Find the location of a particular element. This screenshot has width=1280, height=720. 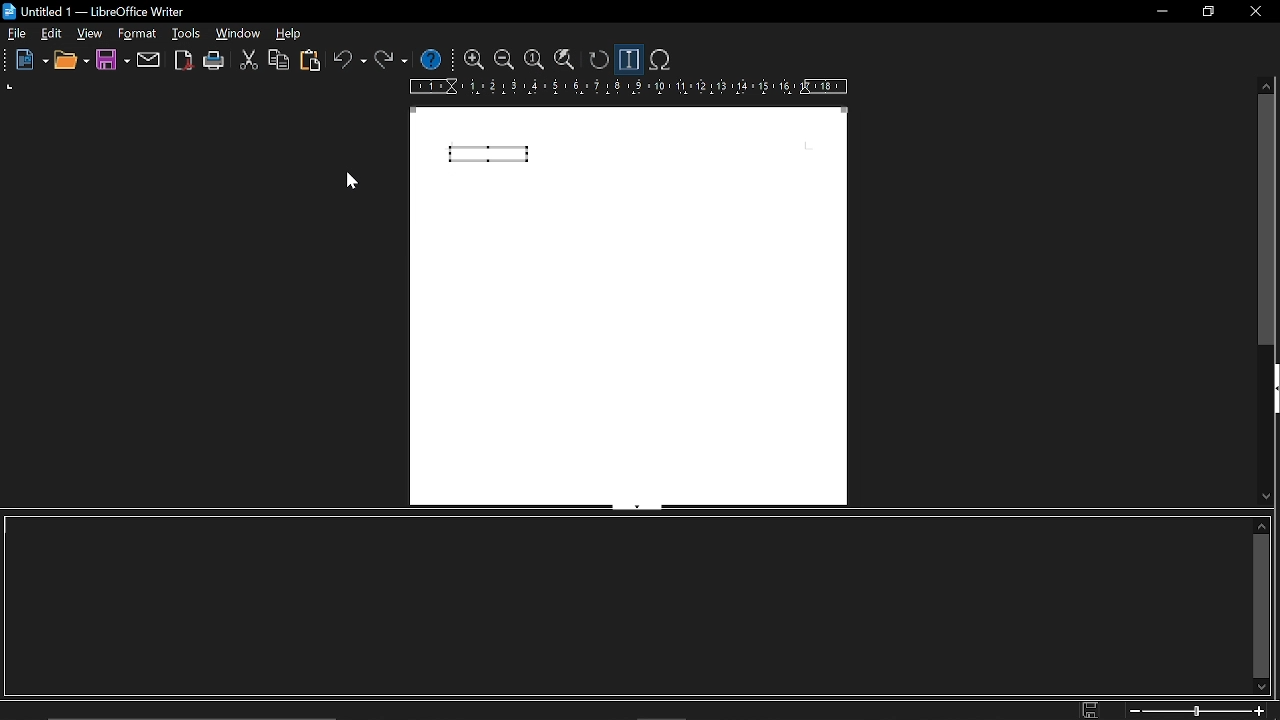

100% is located at coordinates (534, 61).